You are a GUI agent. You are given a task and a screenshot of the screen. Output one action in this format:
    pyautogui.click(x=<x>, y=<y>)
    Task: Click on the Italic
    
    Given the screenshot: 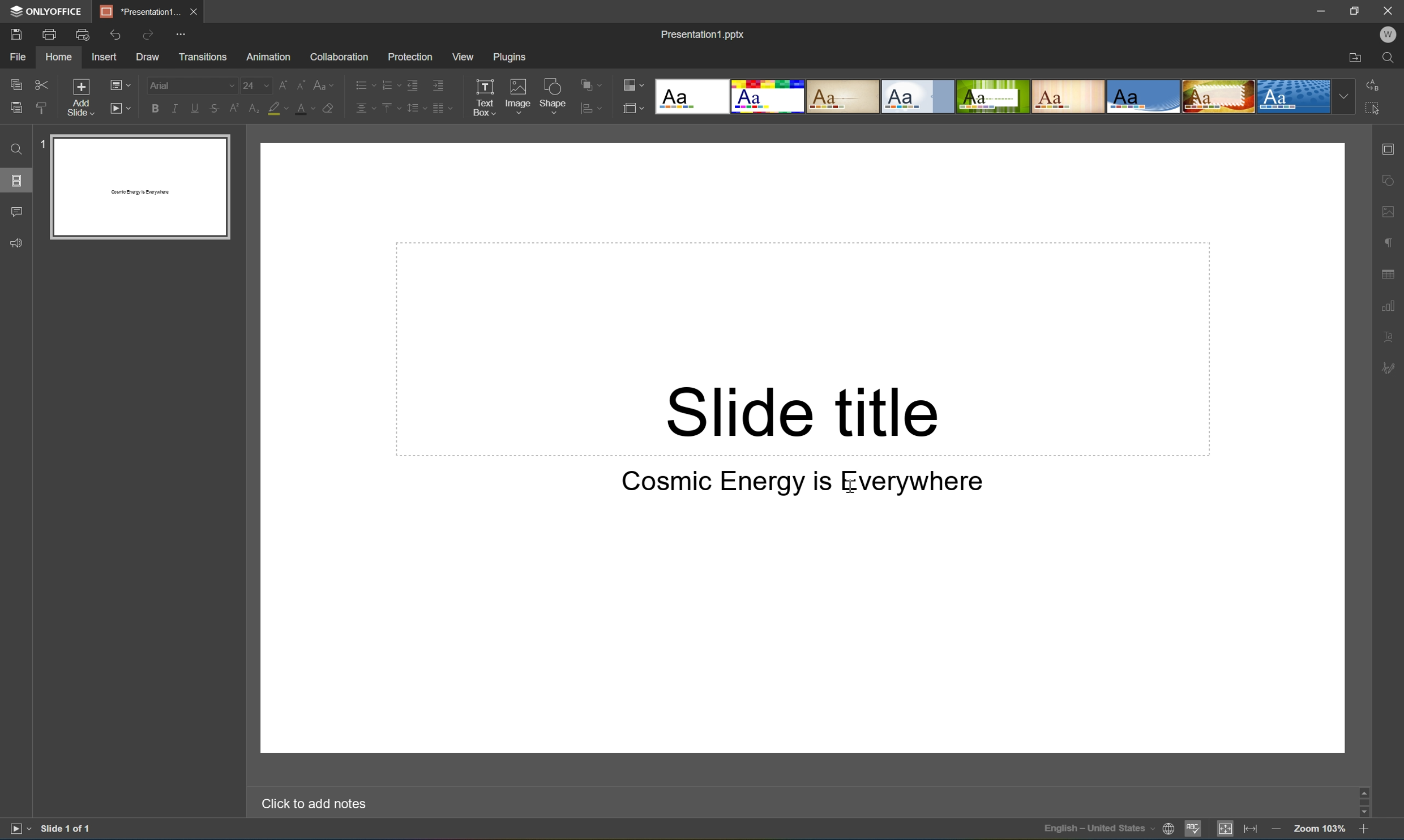 What is the action you would take?
    pyautogui.click(x=172, y=108)
    